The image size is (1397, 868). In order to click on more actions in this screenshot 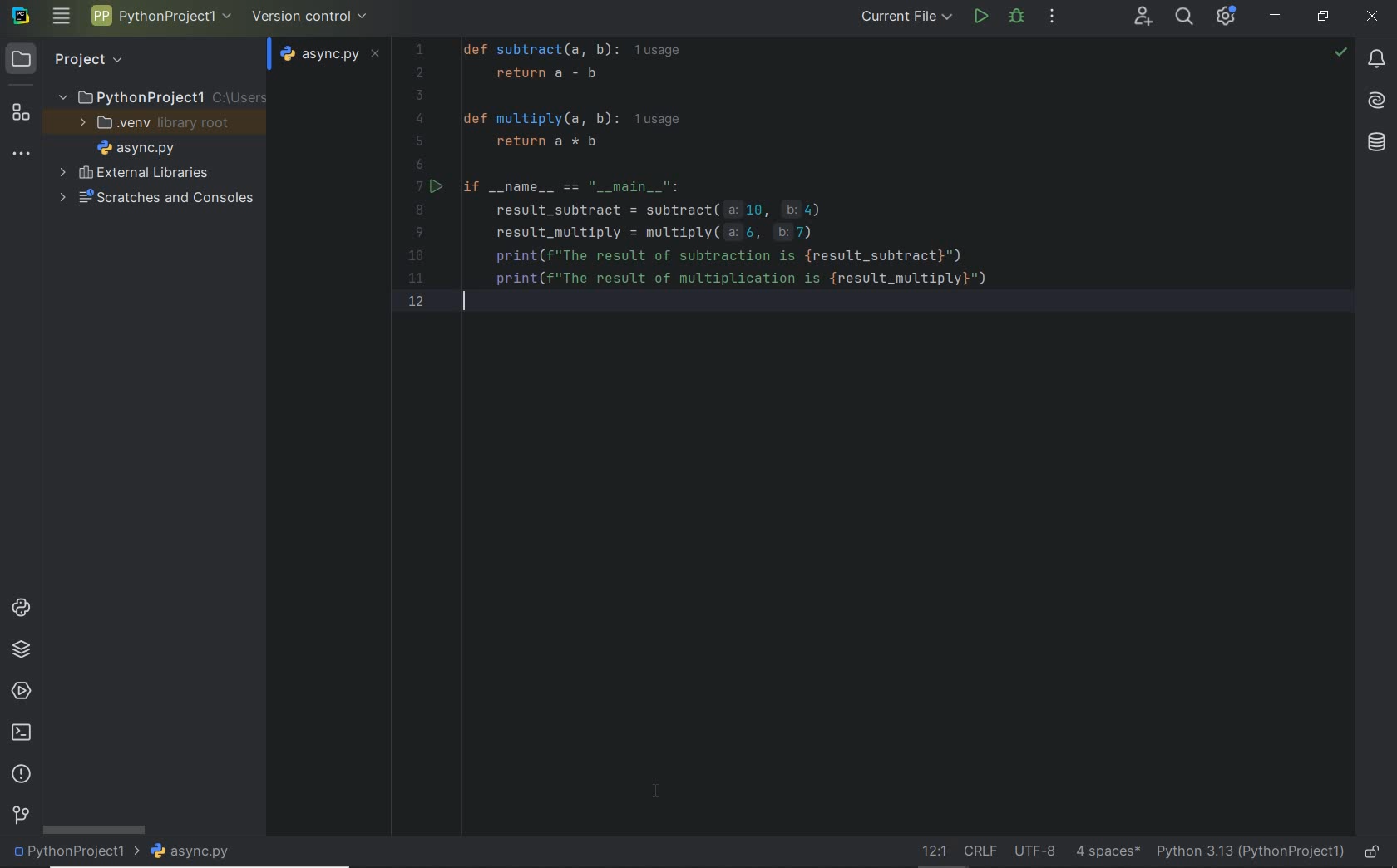, I will do `click(1052, 17)`.